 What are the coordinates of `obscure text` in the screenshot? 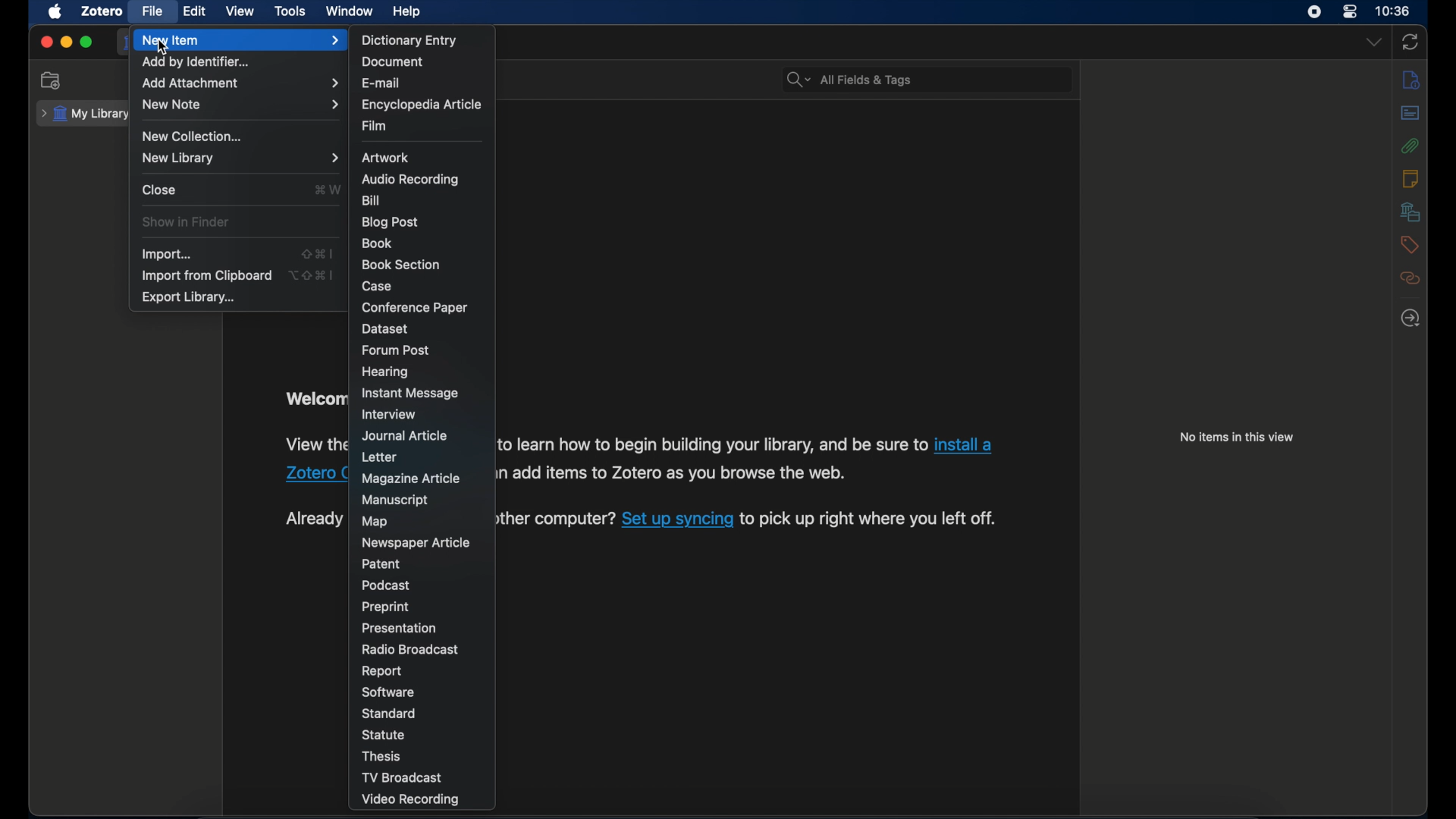 It's located at (314, 519).